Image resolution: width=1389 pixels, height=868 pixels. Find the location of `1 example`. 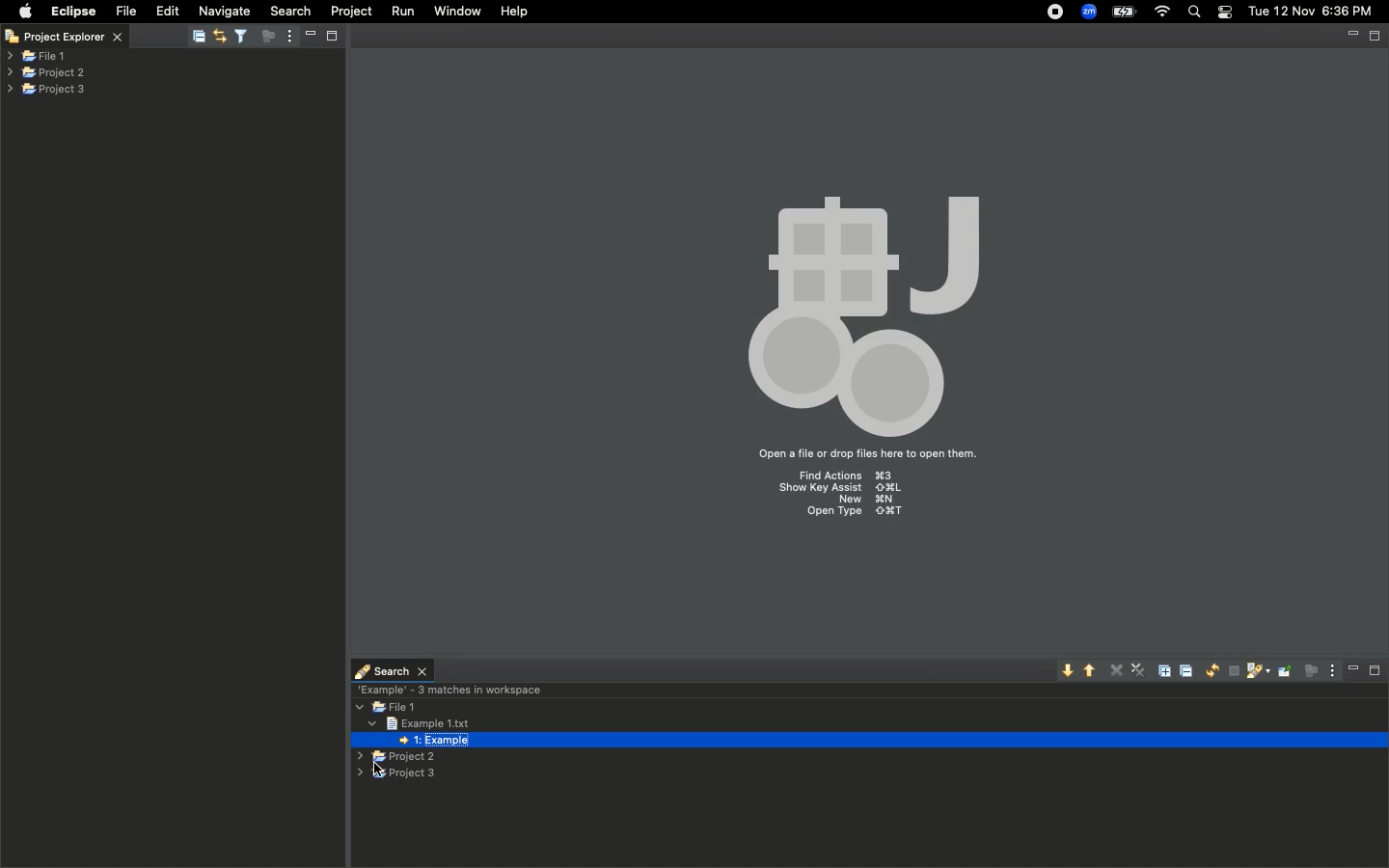

1 example is located at coordinates (437, 742).